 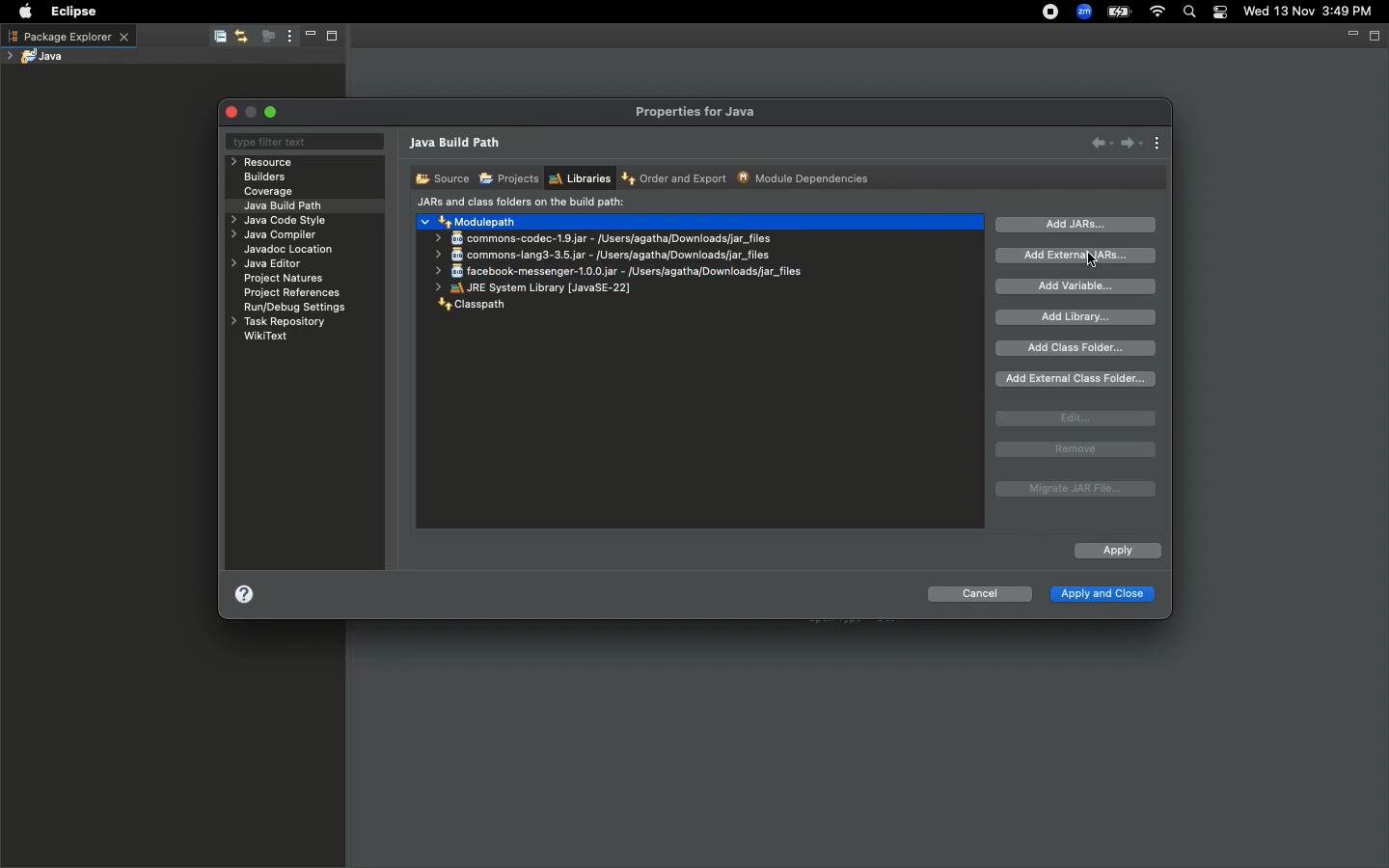 What do you see at coordinates (1085, 12) in the screenshot?
I see `Zoom` at bounding box center [1085, 12].